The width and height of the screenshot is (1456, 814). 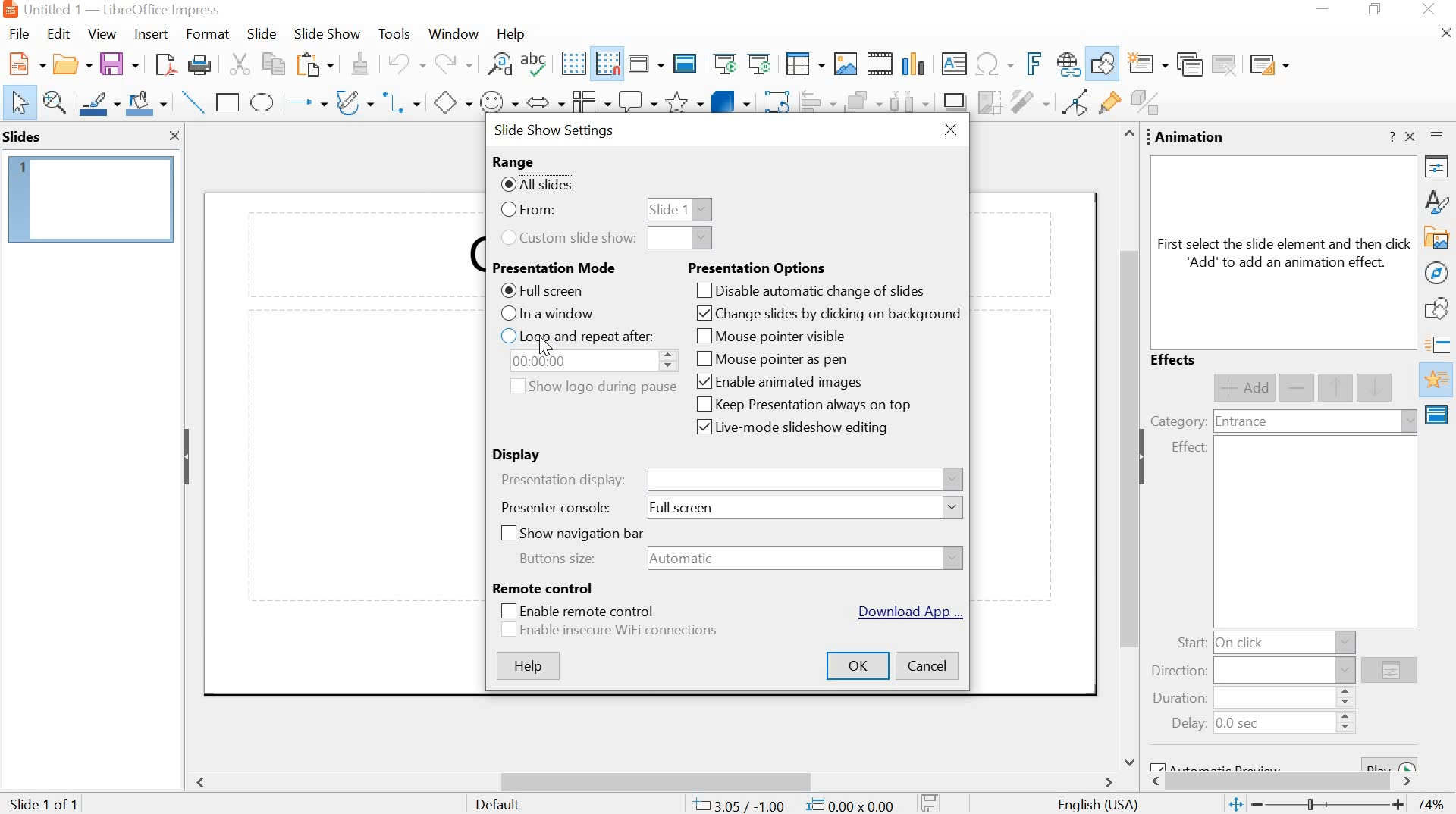 What do you see at coordinates (776, 104) in the screenshot?
I see `rotate` at bounding box center [776, 104].